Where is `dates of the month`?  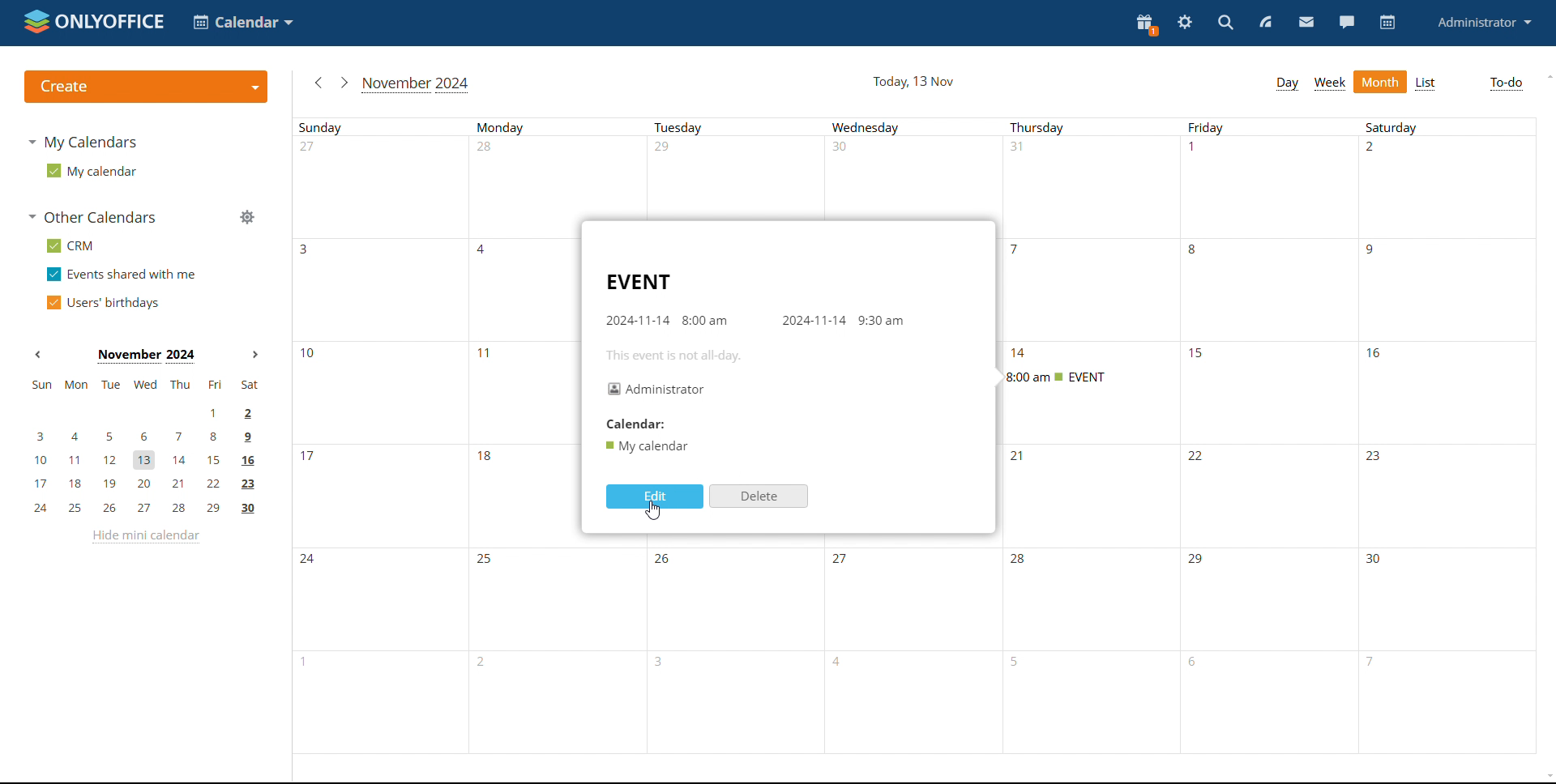 dates of the month is located at coordinates (921, 704).